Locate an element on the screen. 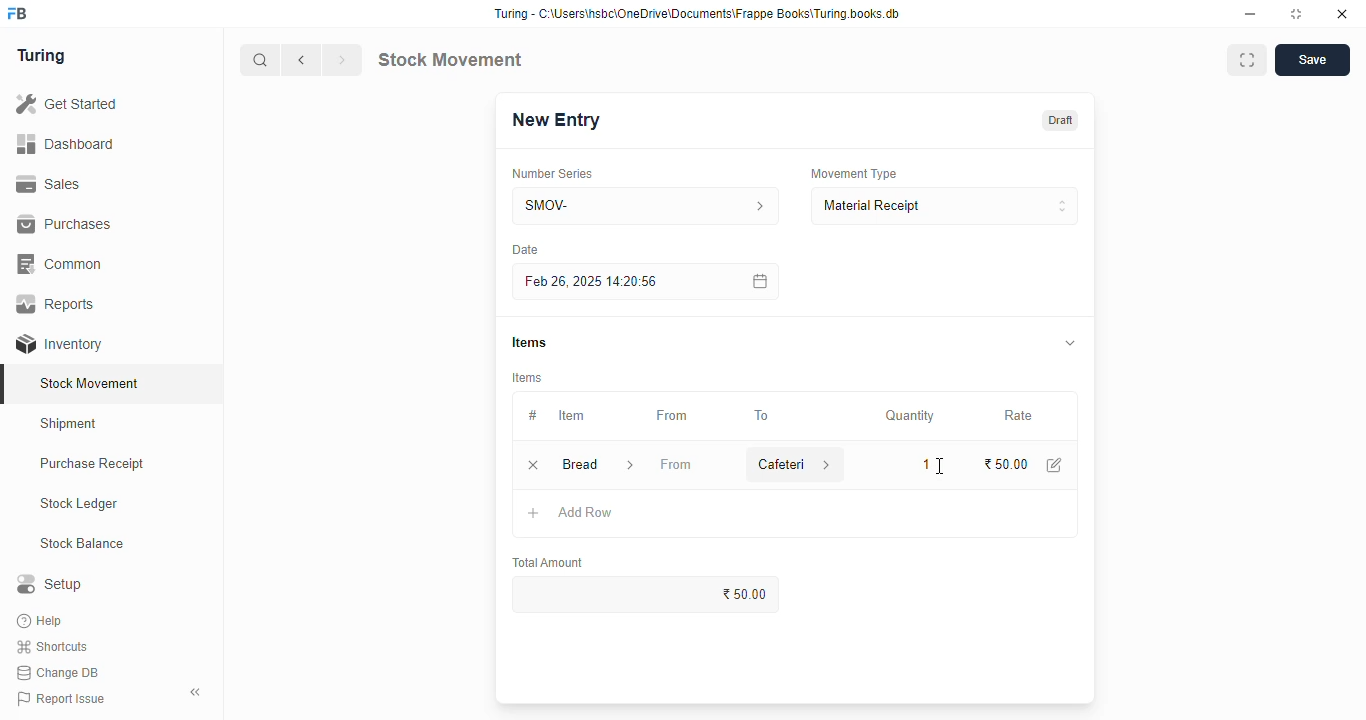  new entry is located at coordinates (555, 120).